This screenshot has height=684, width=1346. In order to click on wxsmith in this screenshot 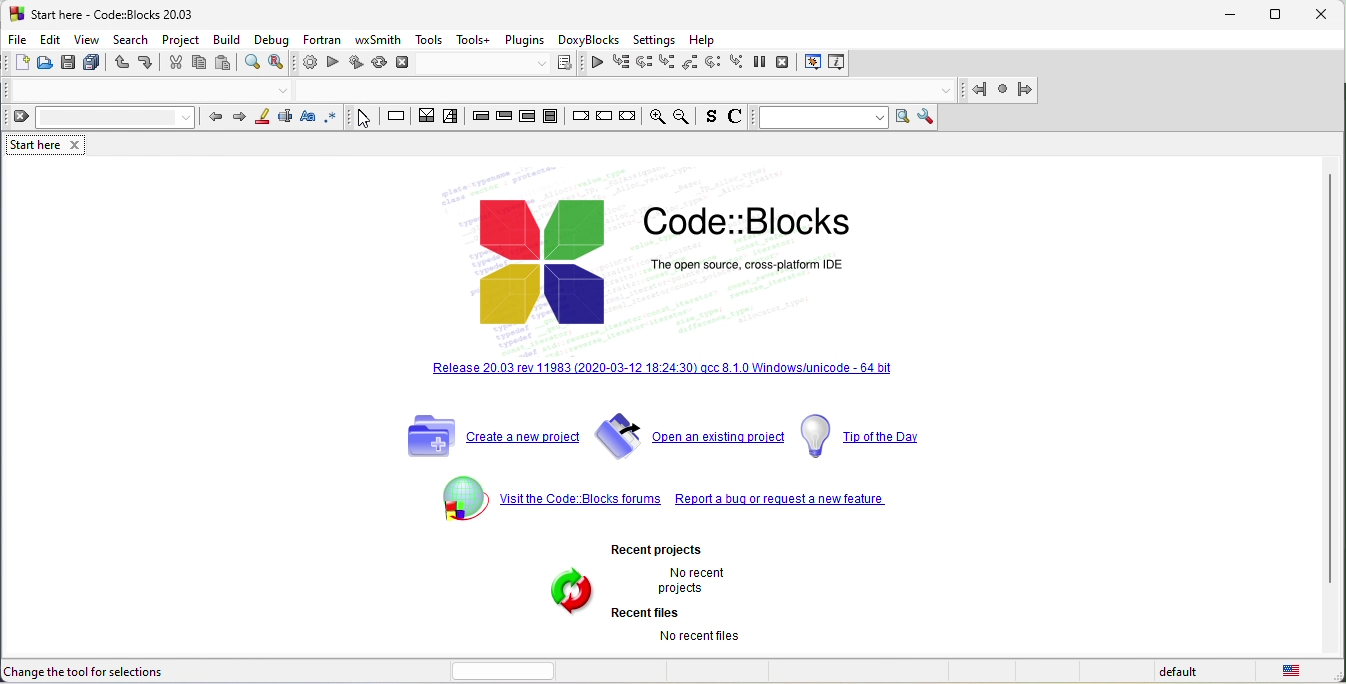, I will do `click(379, 39)`.